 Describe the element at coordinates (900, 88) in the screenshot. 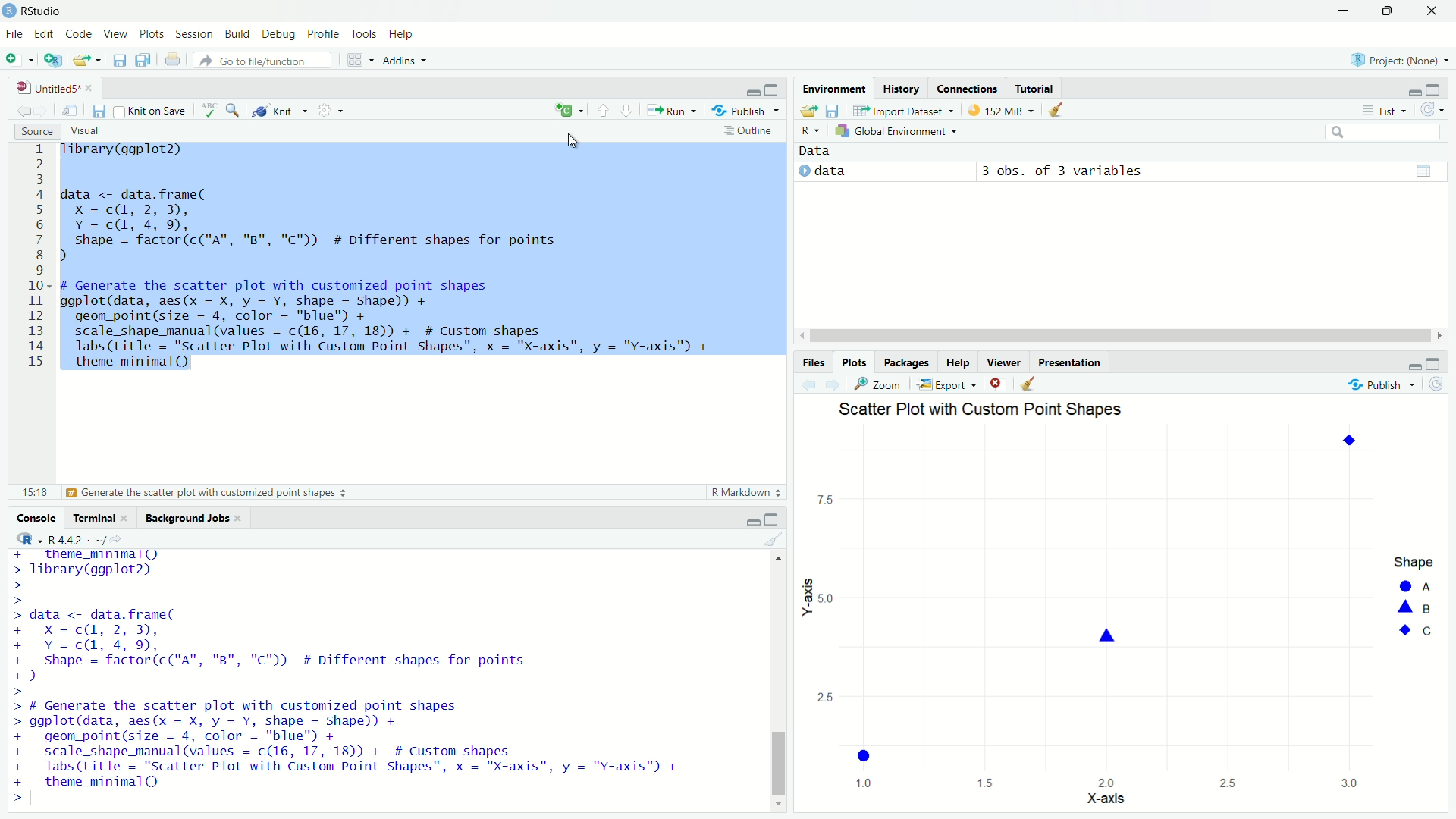

I see `History` at that location.